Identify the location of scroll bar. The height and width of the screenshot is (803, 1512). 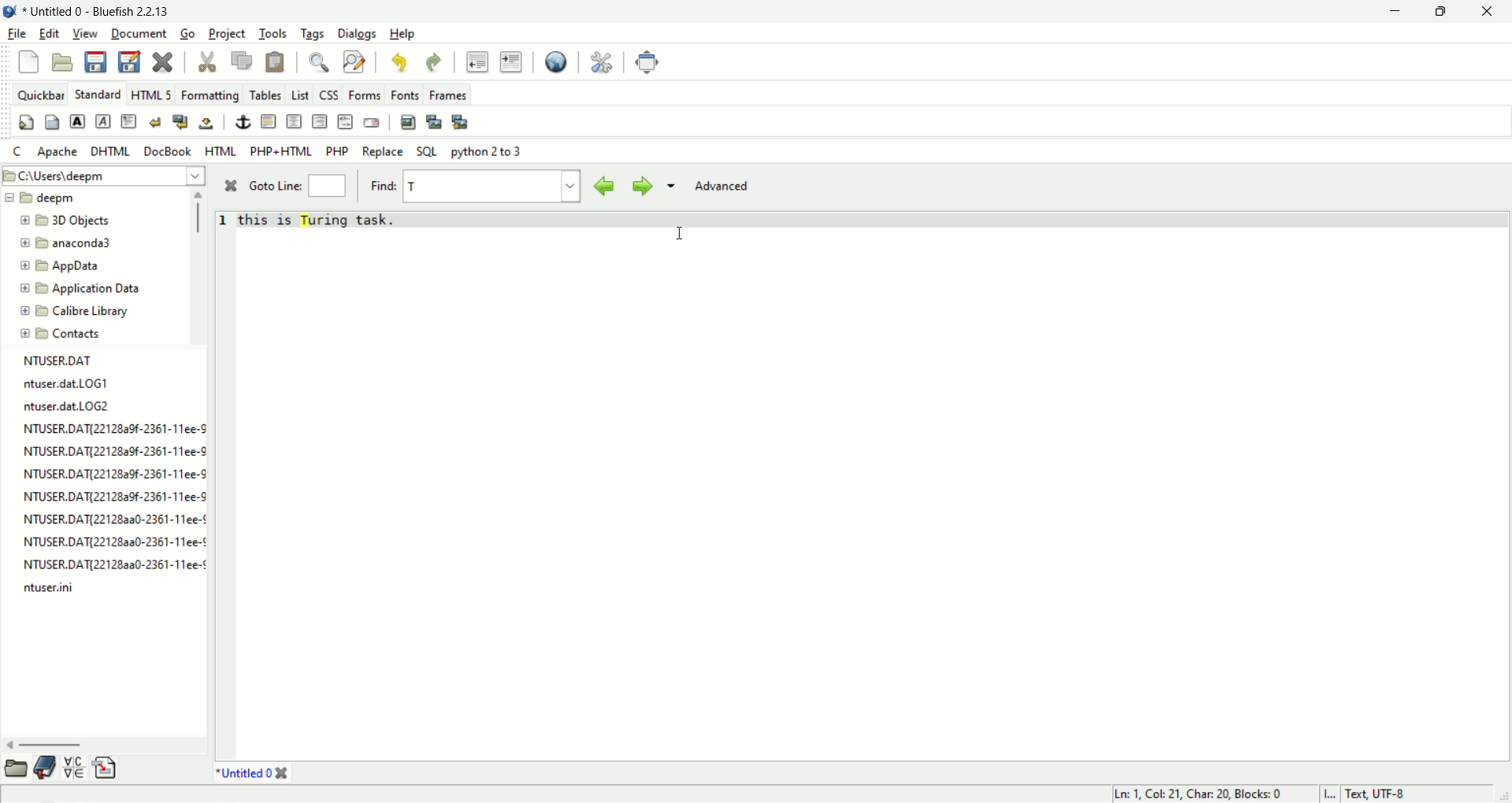
(99, 746).